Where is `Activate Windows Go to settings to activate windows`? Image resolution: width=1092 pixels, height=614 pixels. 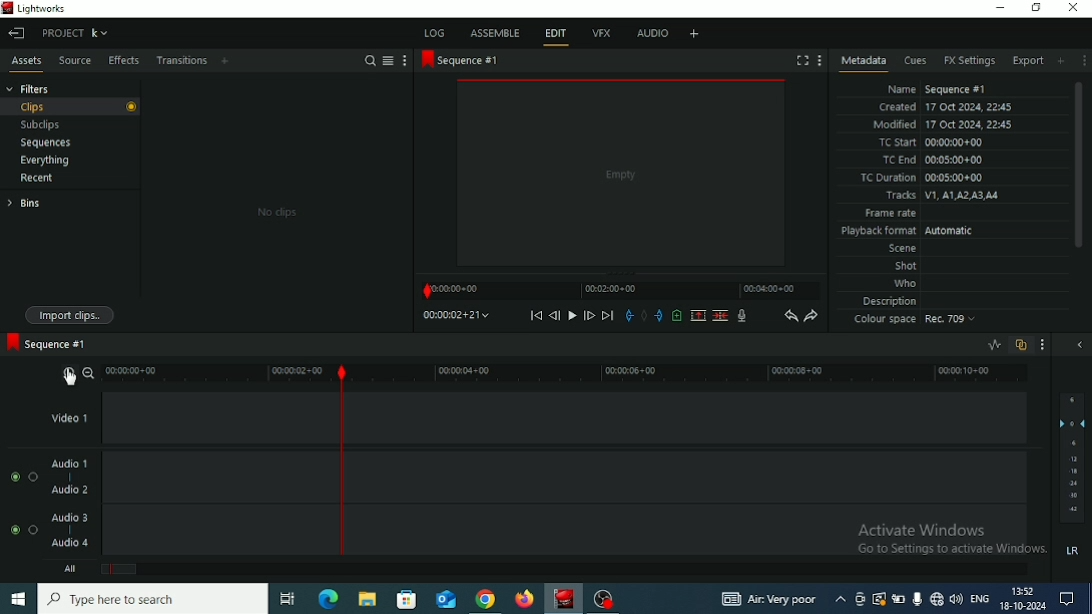 Activate Windows Go to settings to activate windows is located at coordinates (949, 534).